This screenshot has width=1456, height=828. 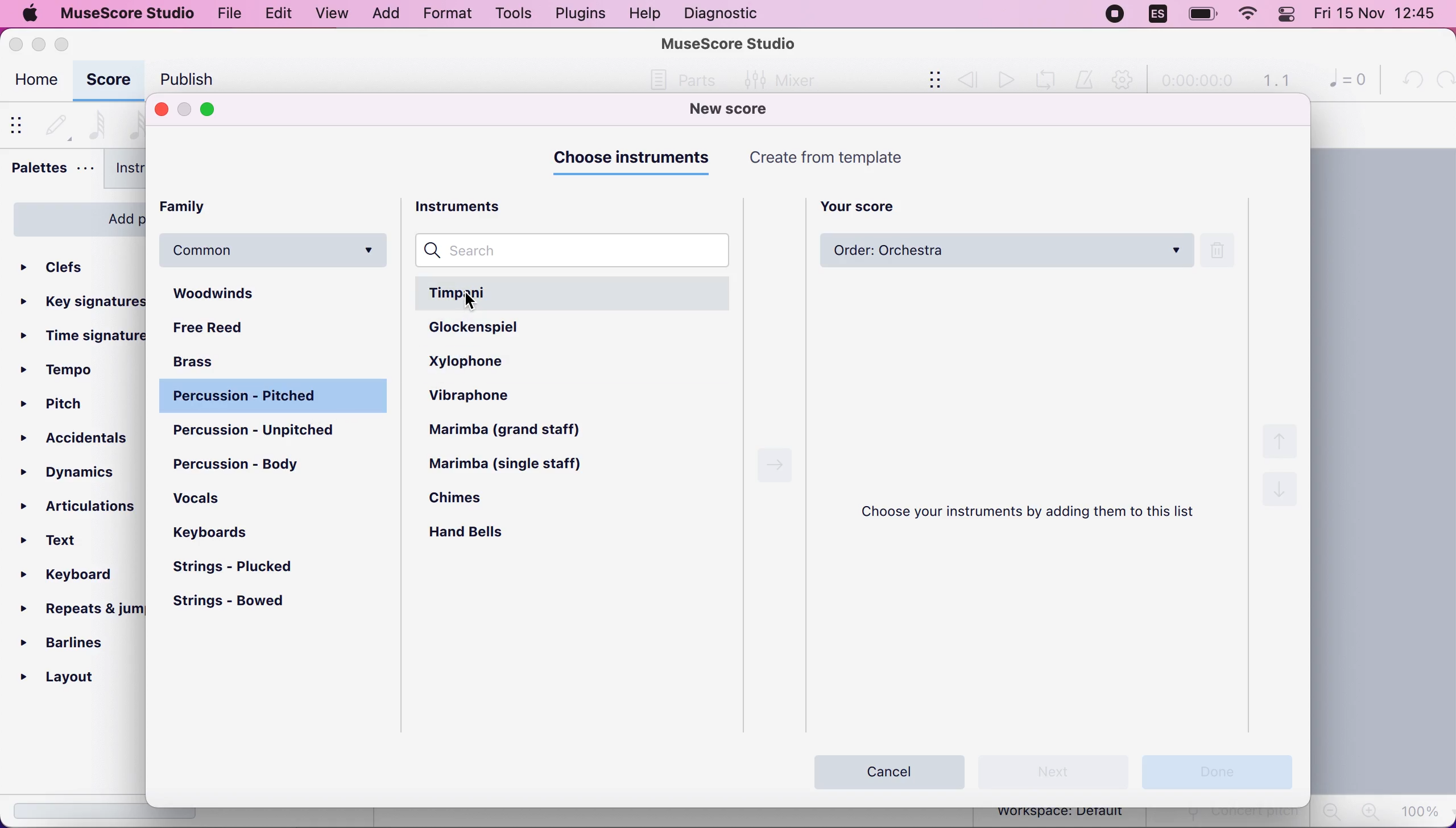 What do you see at coordinates (38, 42) in the screenshot?
I see `minimize` at bounding box center [38, 42].